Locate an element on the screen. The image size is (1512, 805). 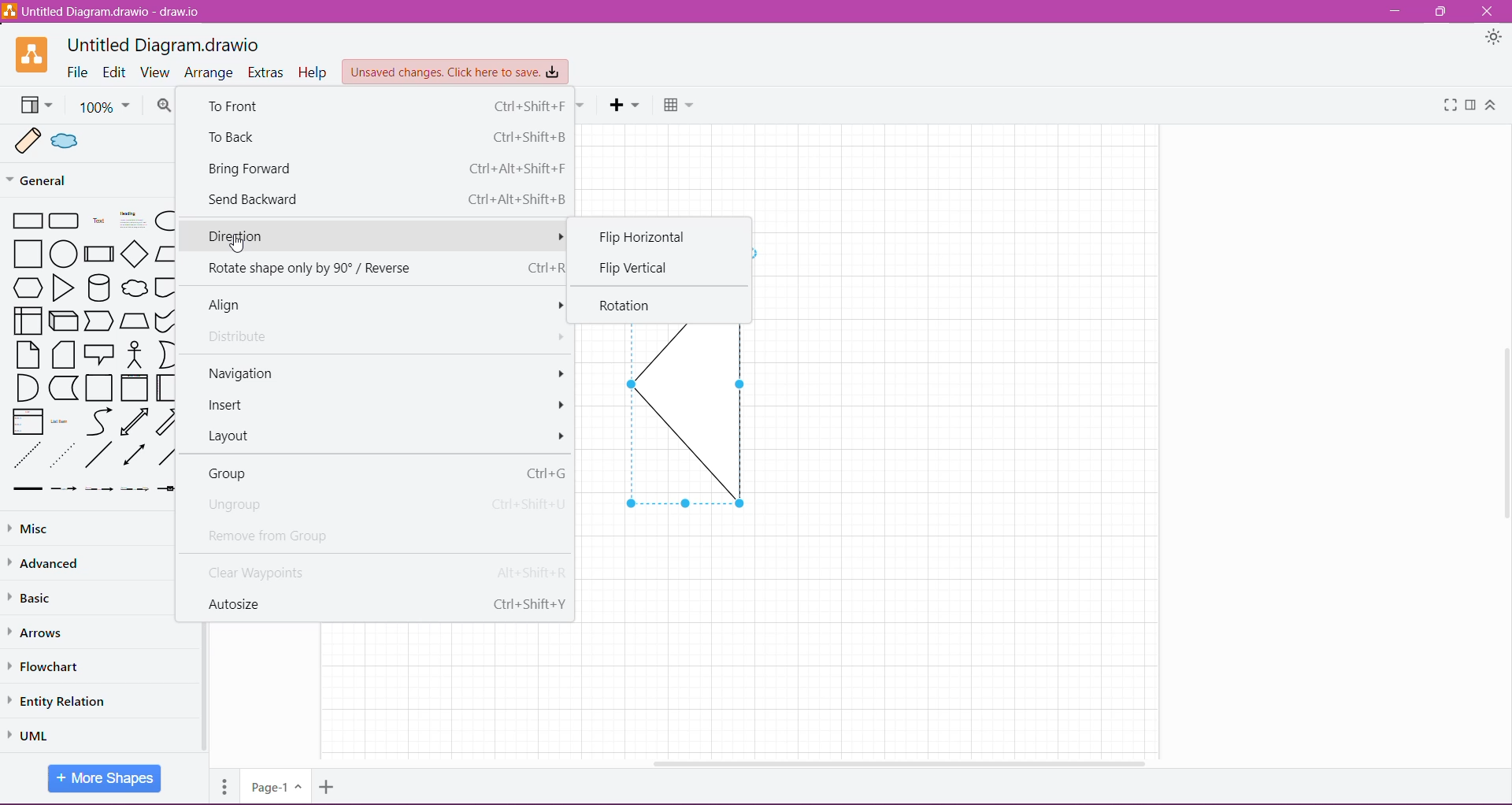
Basic is located at coordinates (31, 600).